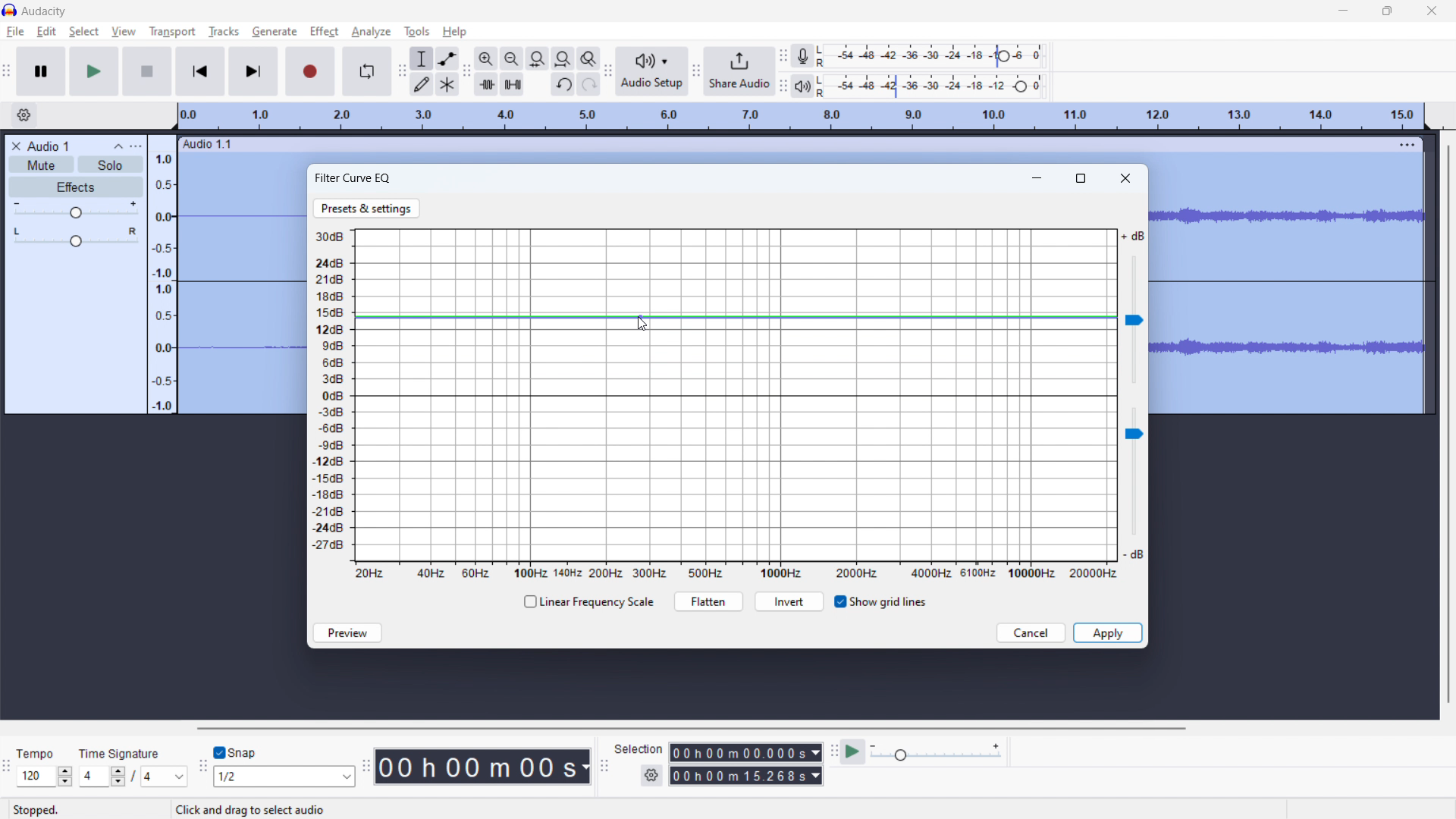 This screenshot has height=819, width=1456. Describe the element at coordinates (133, 776) in the screenshot. I see `4/4 (select time signature)` at that location.